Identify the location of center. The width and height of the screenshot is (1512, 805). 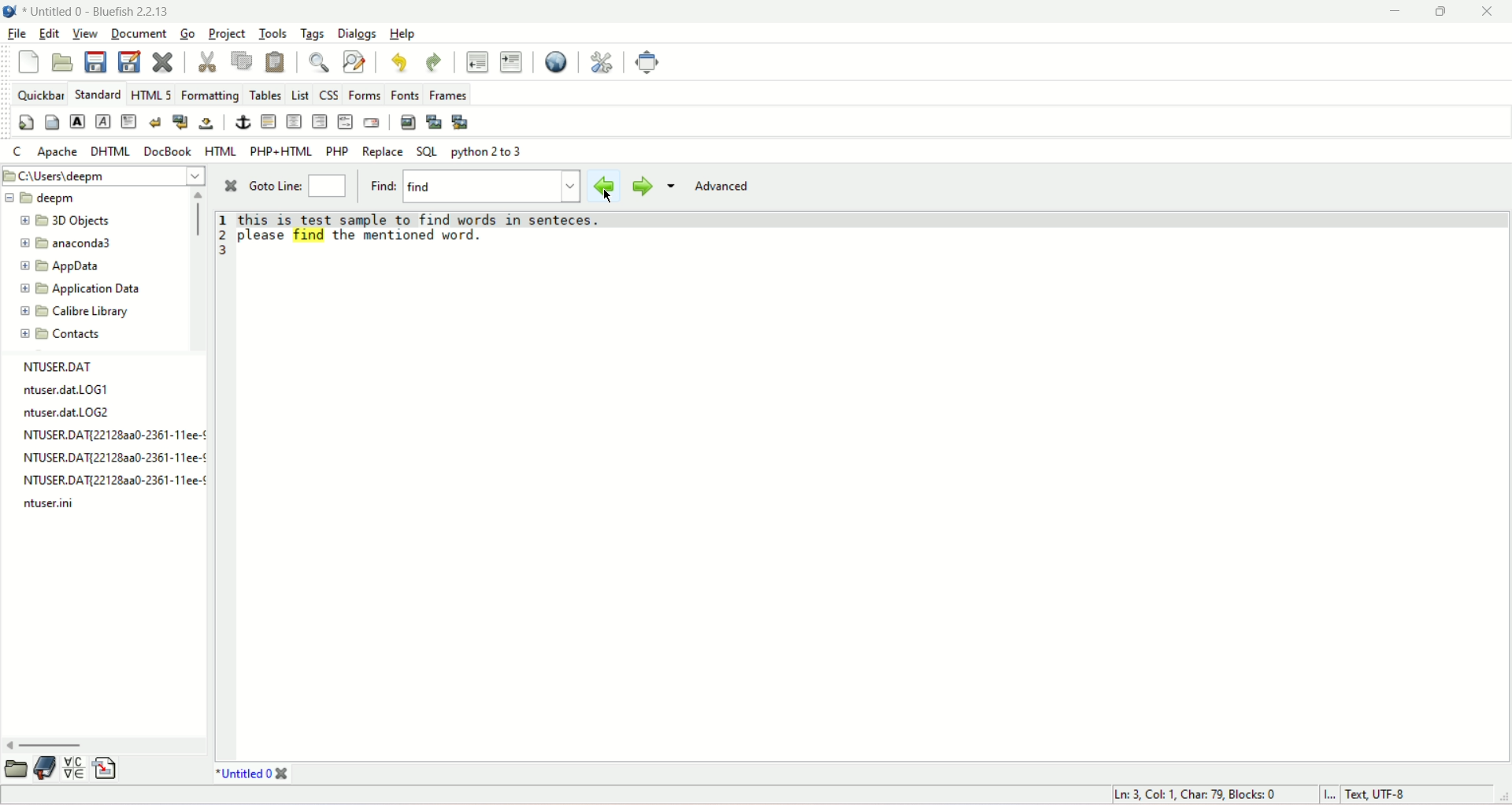
(296, 124).